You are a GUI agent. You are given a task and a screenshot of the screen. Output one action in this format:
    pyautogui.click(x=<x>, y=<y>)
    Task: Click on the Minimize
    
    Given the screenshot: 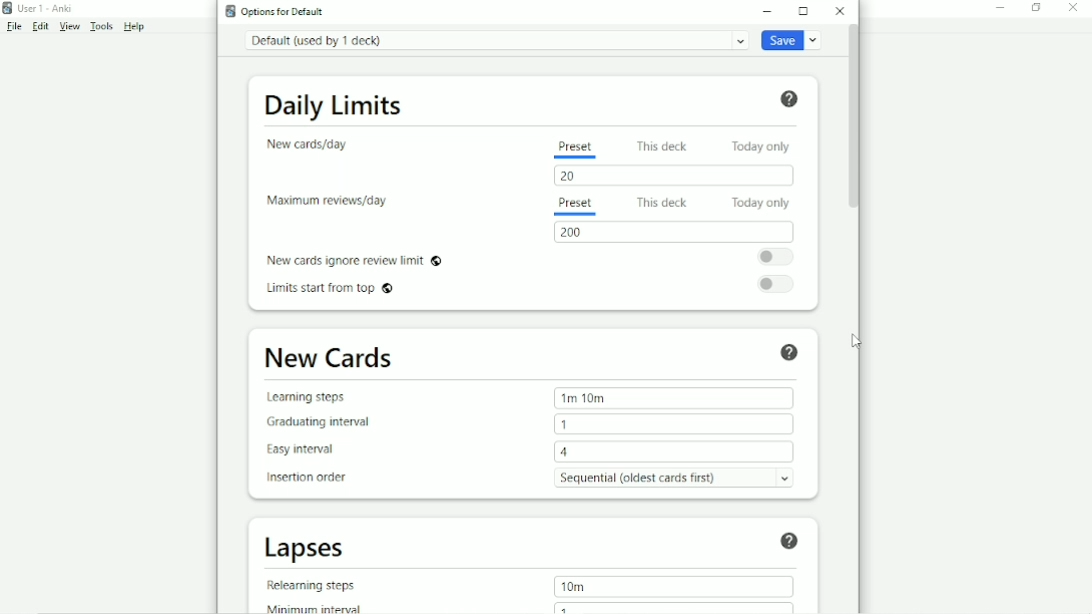 What is the action you would take?
    pyautogui.click(x=768, y=11)
    